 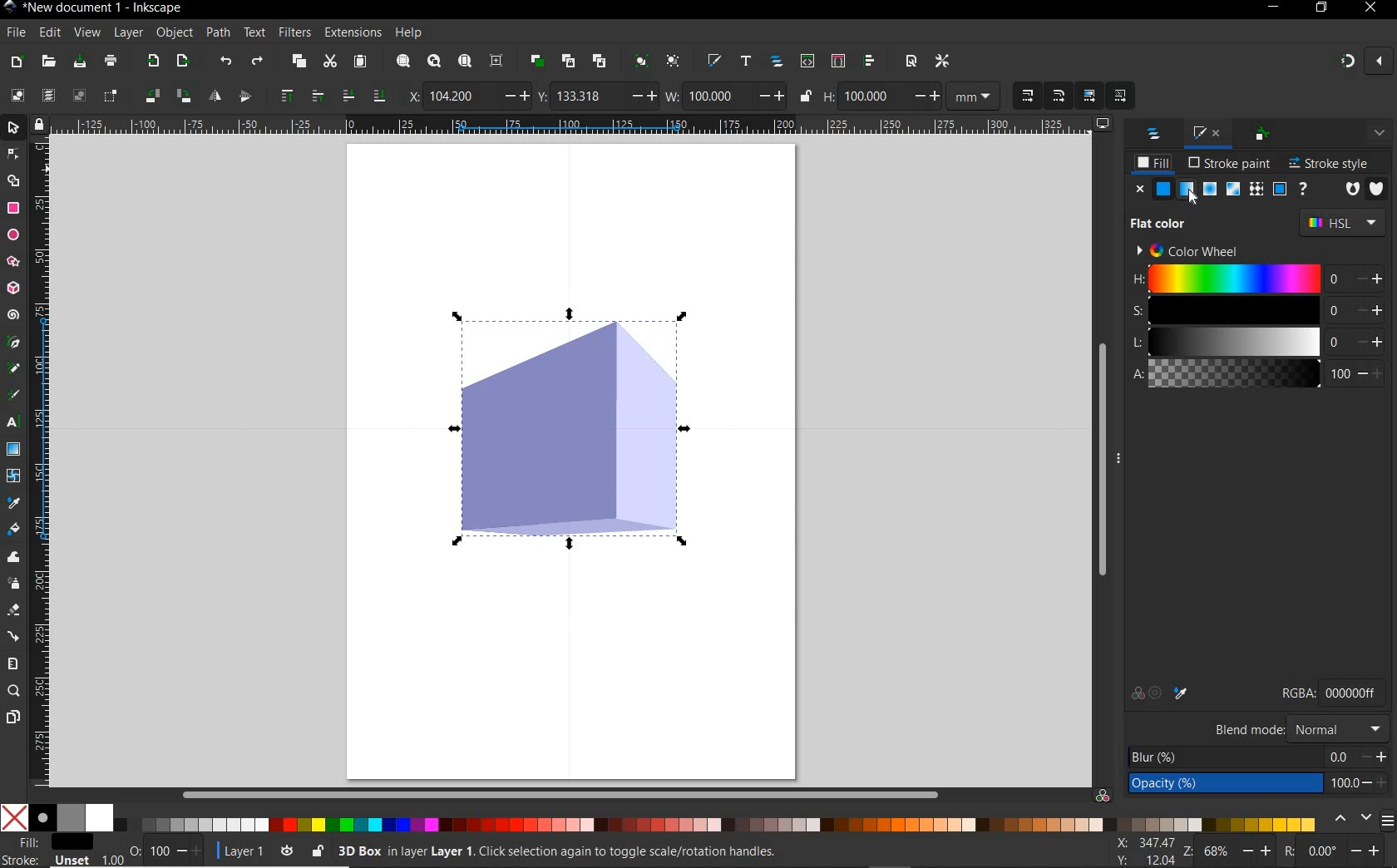 What do you see at coordinates (79, 96) in the screenshot?
I see `DESELECT` at bounding box center [79, 96].